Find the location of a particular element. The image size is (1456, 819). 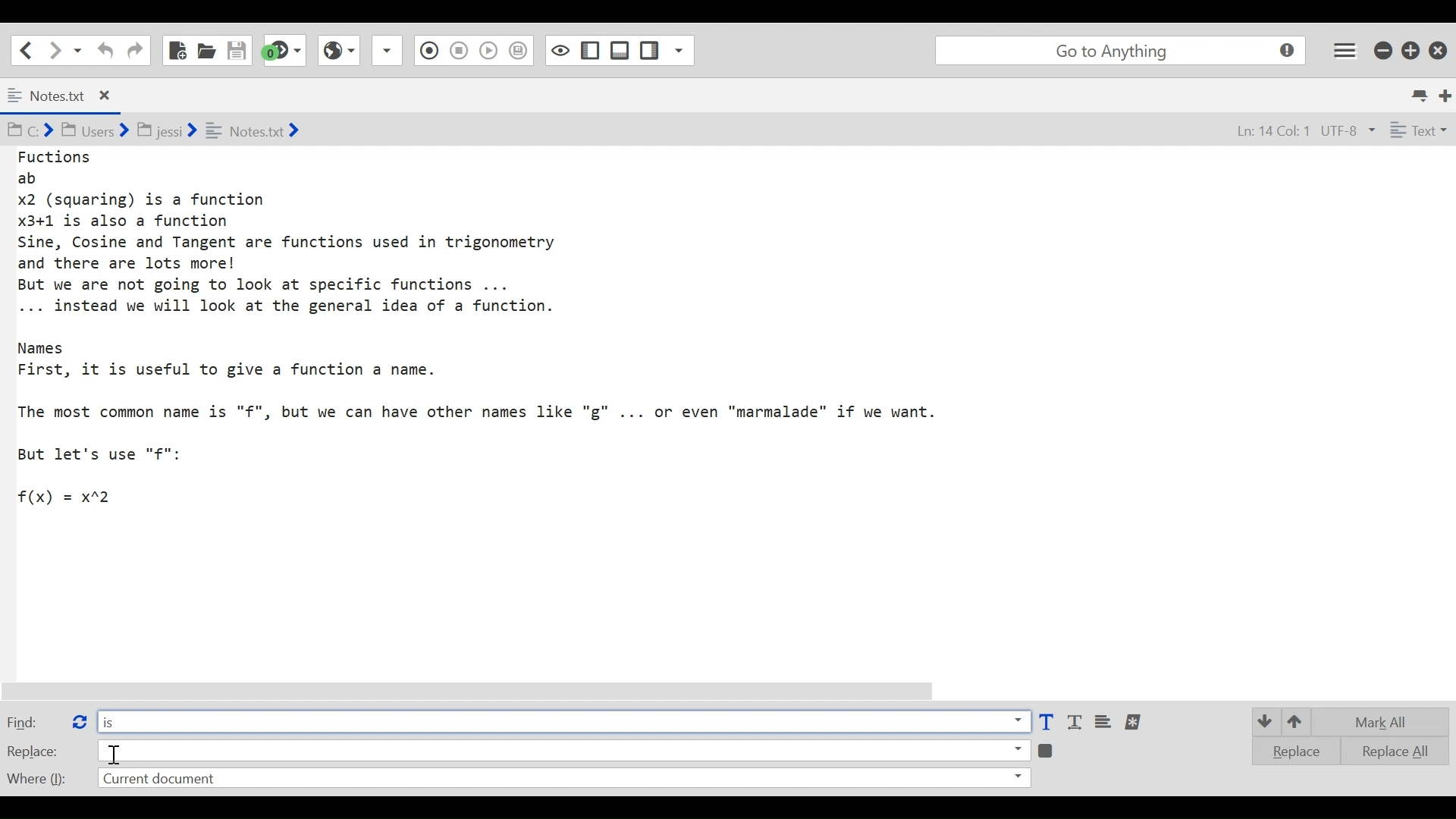

View in Browser is located at coordinates (458, 49).